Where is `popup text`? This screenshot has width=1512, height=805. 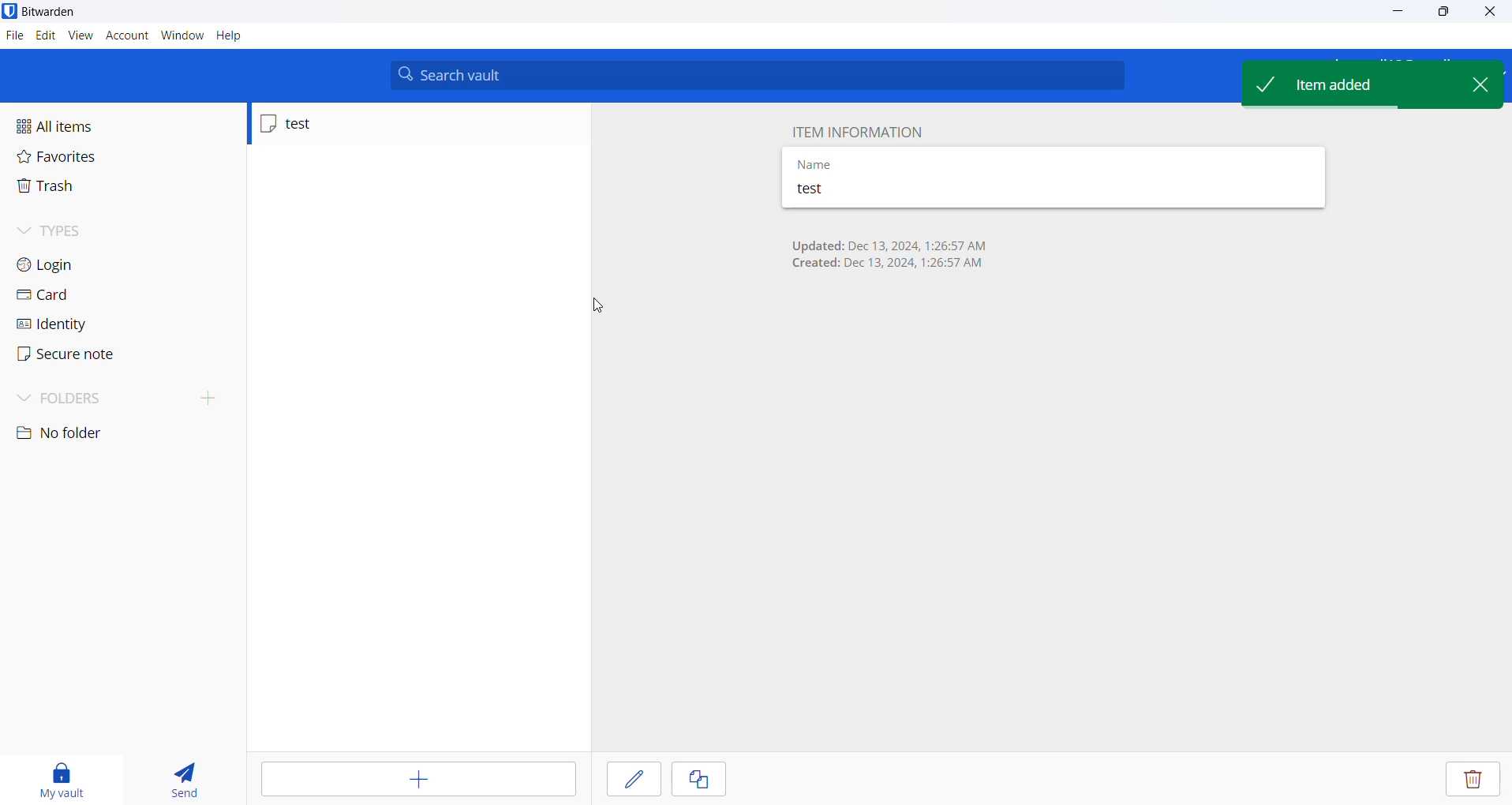 popup text is located at coordinates (1346, 84).